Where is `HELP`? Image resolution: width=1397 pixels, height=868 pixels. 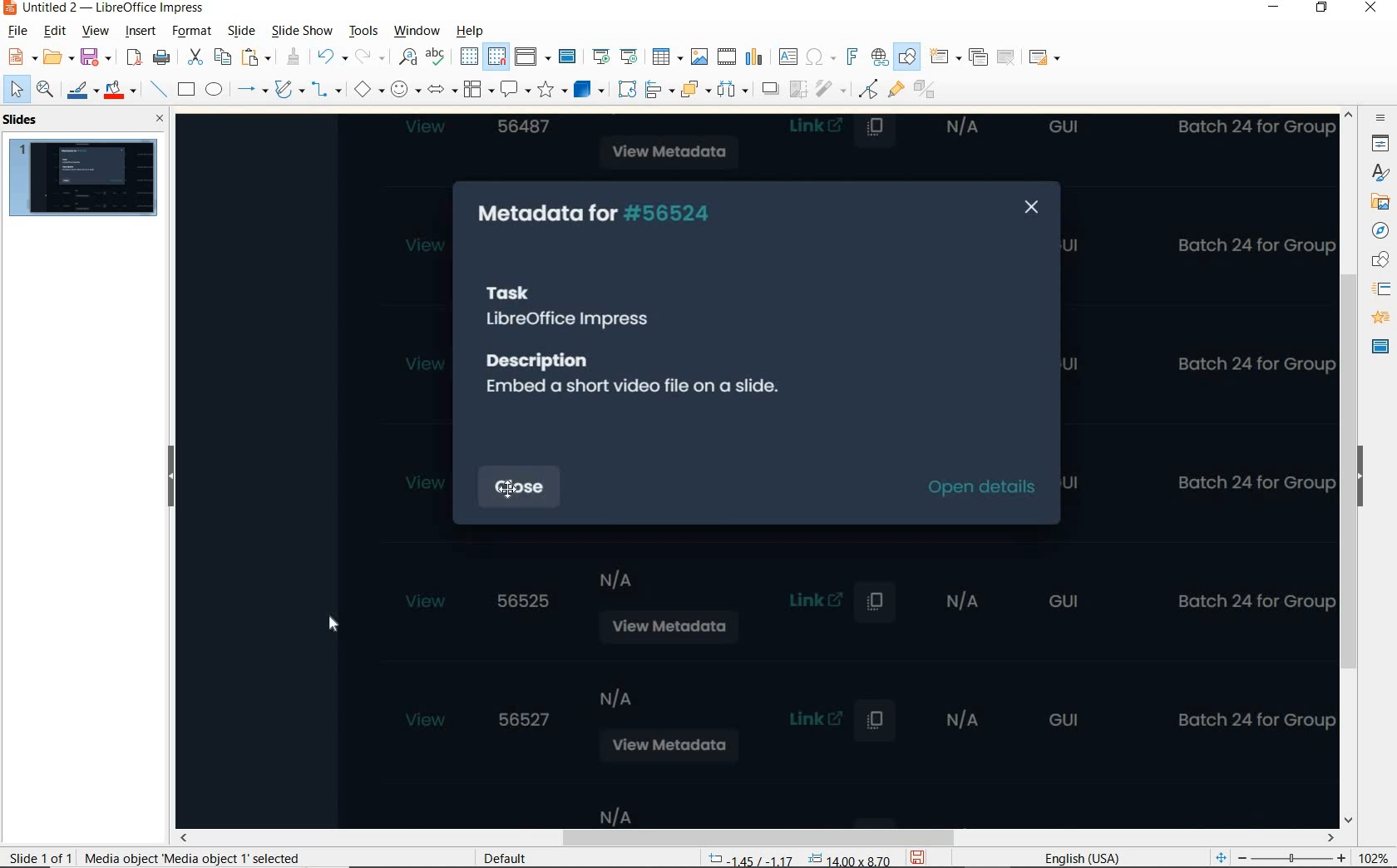 HELP is located at coordinates (471, 31).